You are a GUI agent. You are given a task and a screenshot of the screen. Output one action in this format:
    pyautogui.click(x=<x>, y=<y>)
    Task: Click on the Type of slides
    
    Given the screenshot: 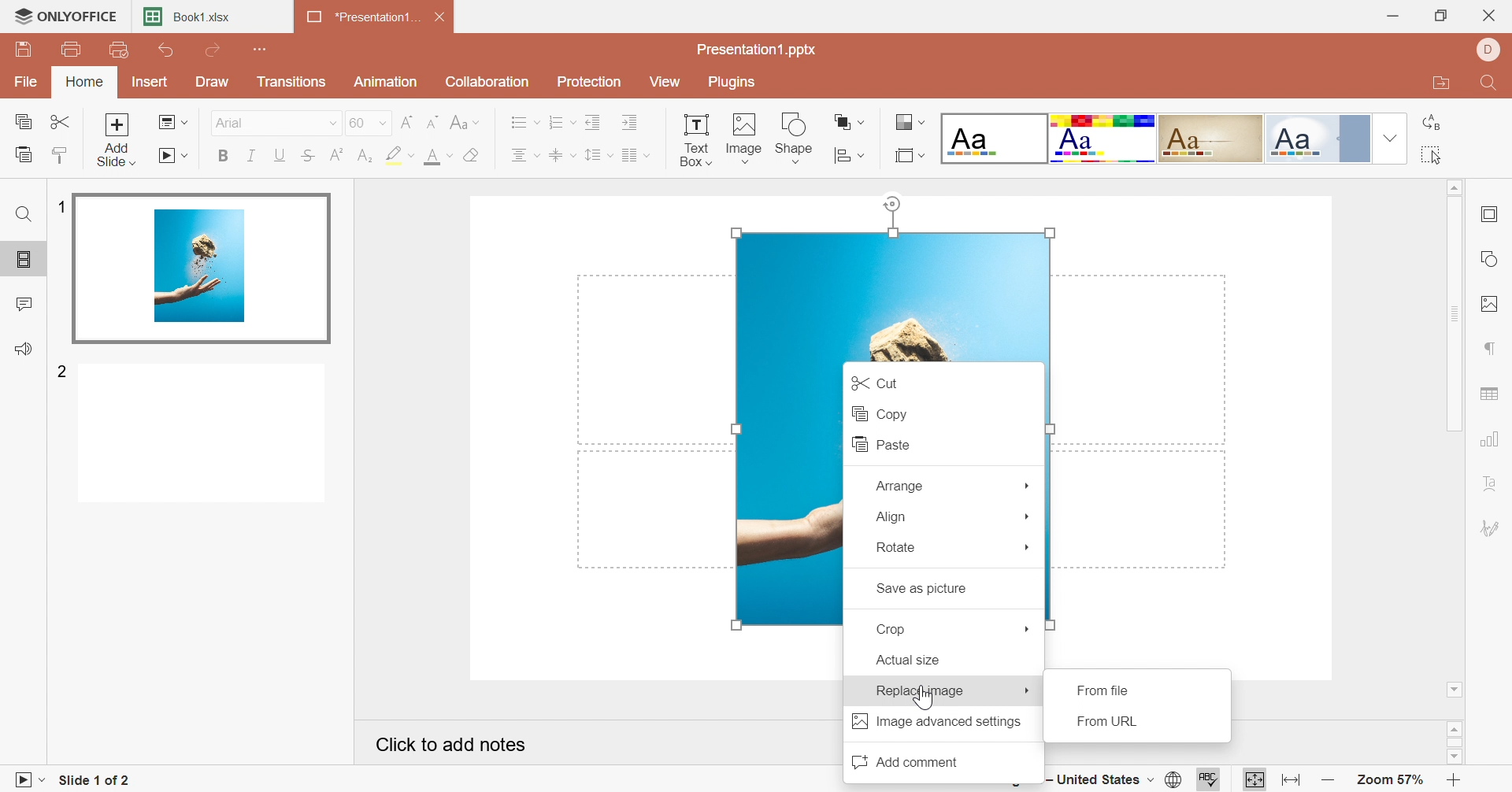 What is the action you would take?
    pyautogui.click(x=1152, y=138)
    